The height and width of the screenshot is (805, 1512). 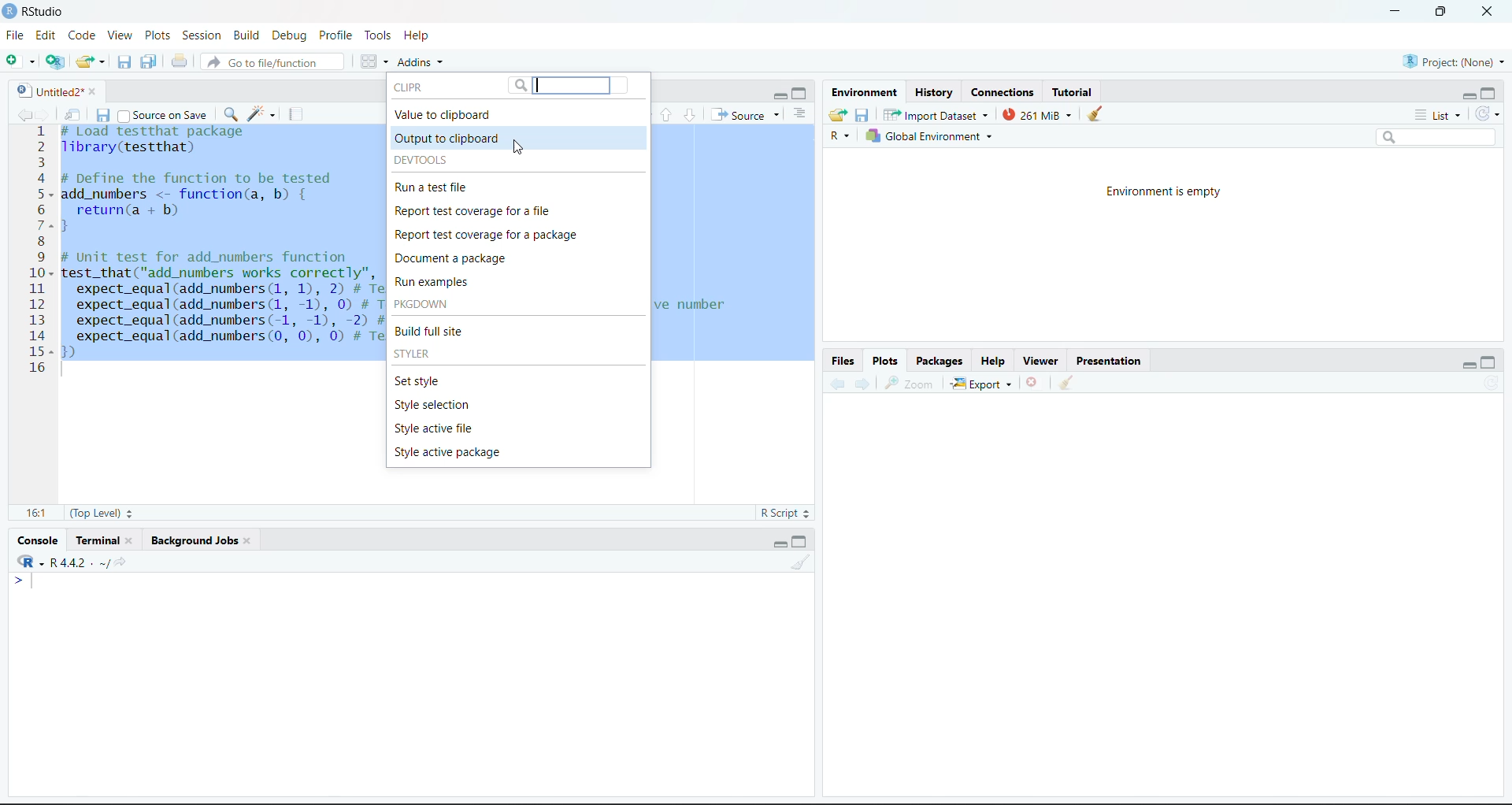 I want to click on STYLER, so click(x=413, y=356).